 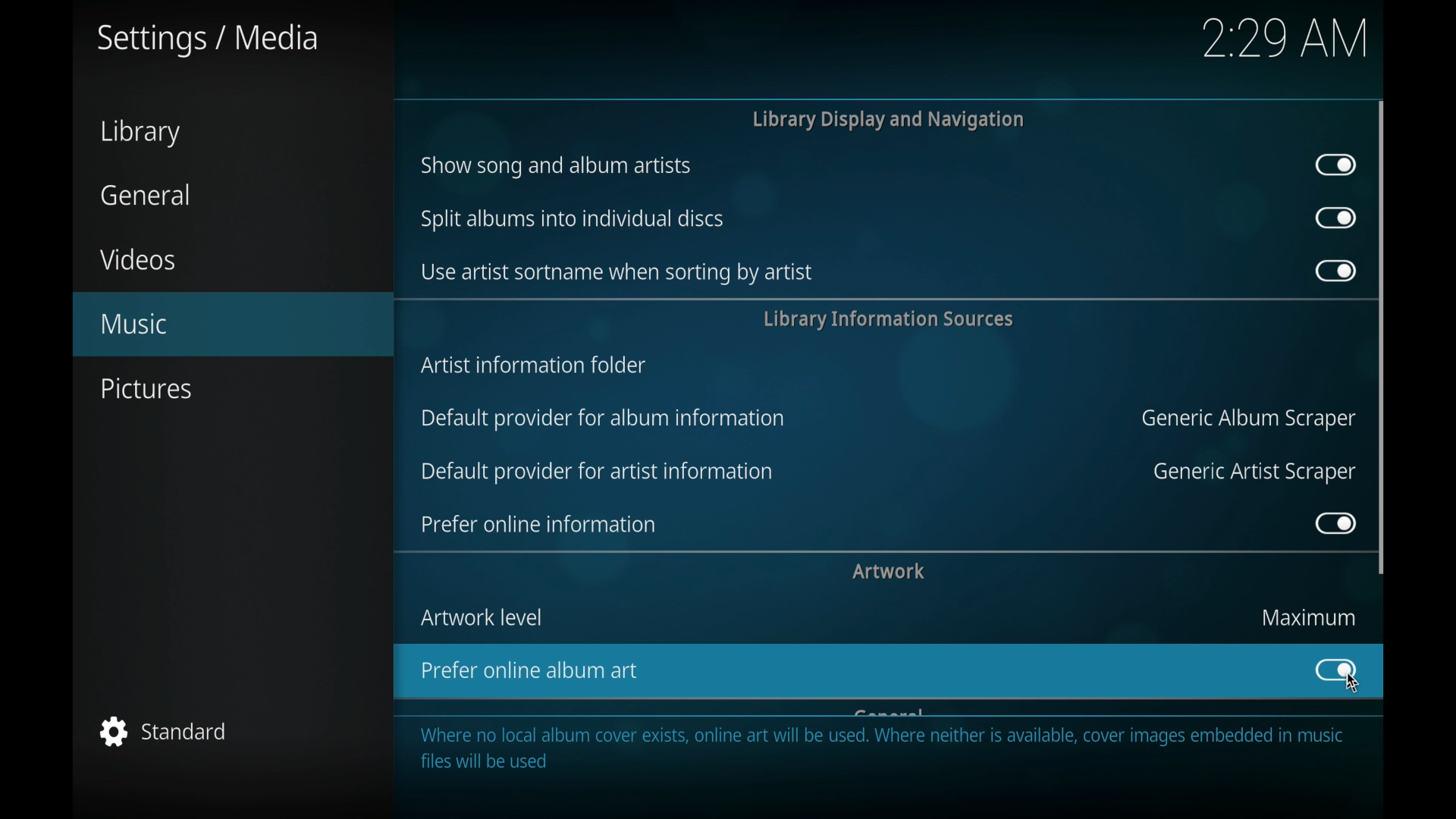 What do you see at coordinates (885, 749) in the screenshot?
I see `Where no local album cover exists, online art will be used. Where neither is available, cover images embedded in music
files will be used` at bounding box center [885, 749].